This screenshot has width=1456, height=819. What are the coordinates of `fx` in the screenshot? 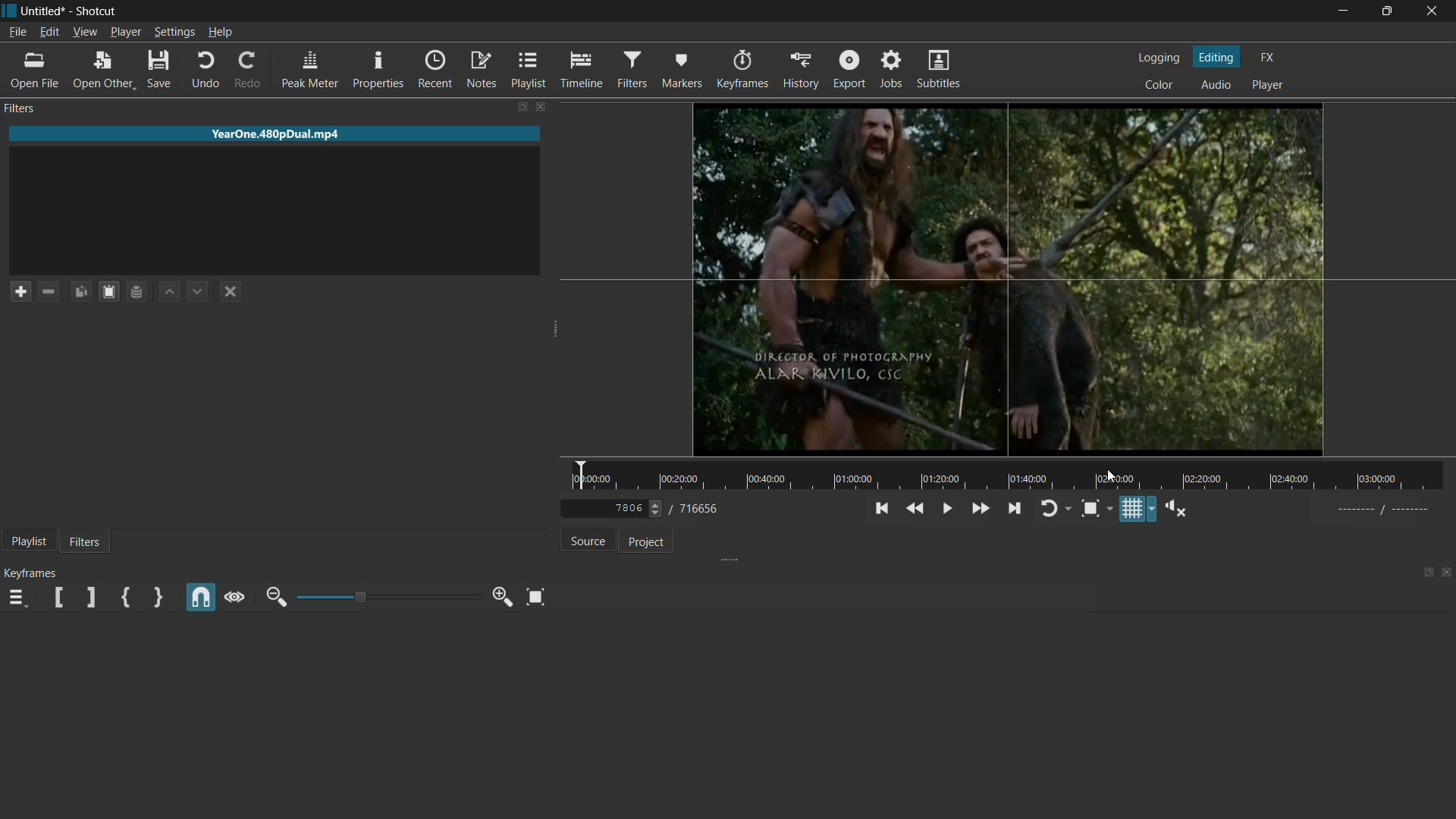 It's located at (1268, 59).